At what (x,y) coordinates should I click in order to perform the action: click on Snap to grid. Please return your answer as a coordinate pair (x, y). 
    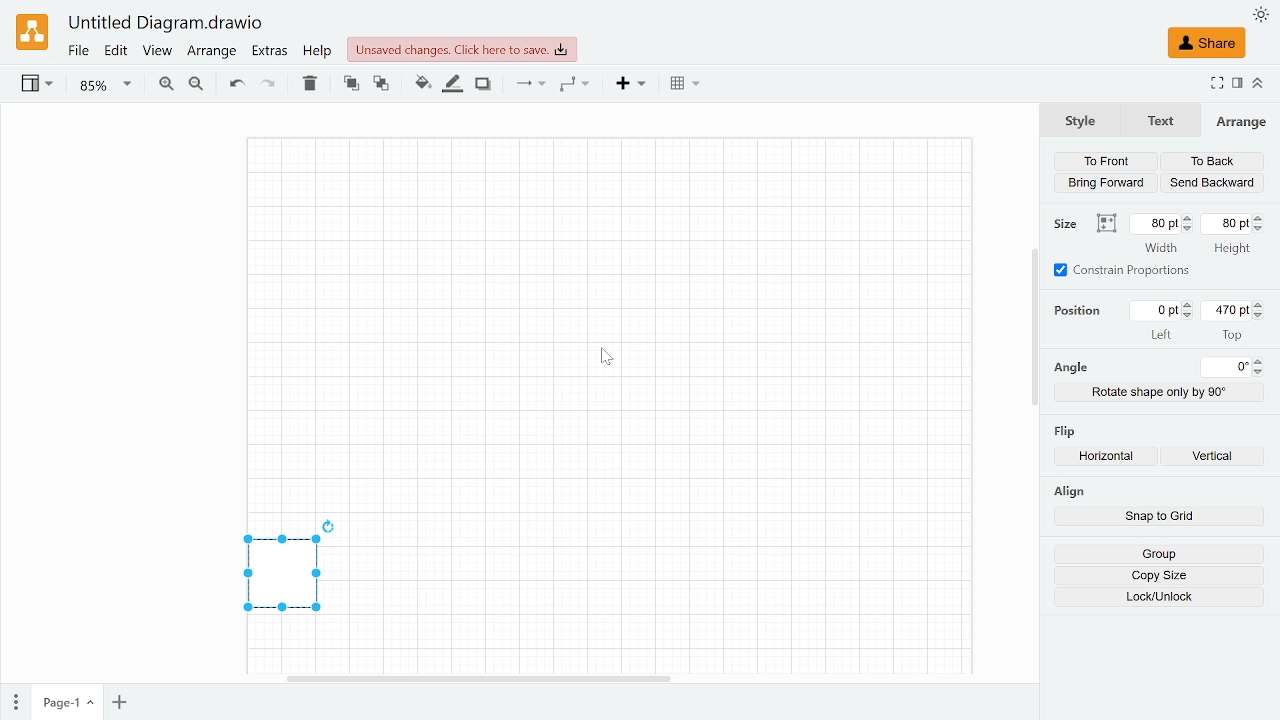
    Looking at the image, I should click on (1159, 518).